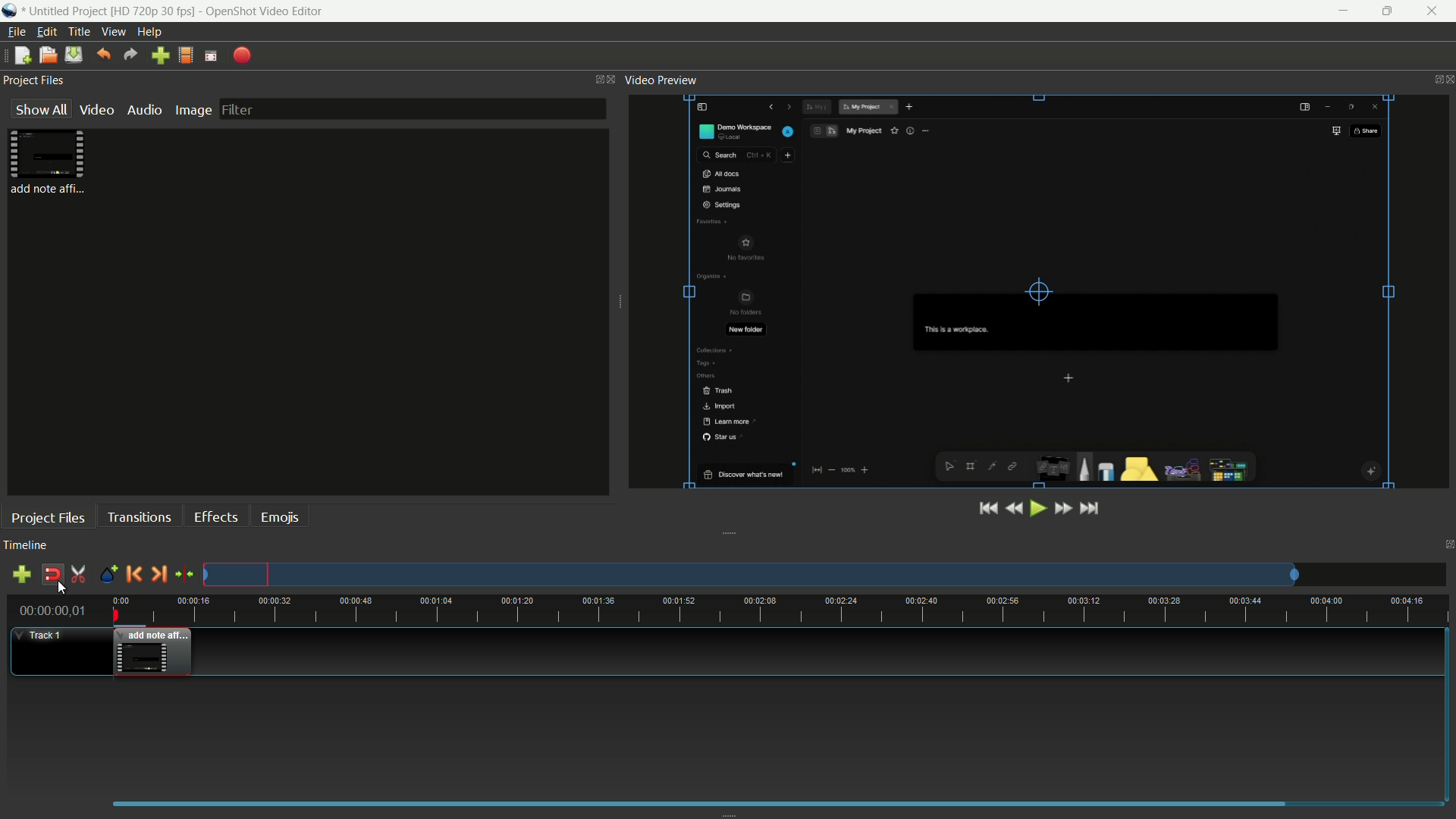 This screenshot has width=1456, height=819. I want to click on title menu, so click(75, 31).